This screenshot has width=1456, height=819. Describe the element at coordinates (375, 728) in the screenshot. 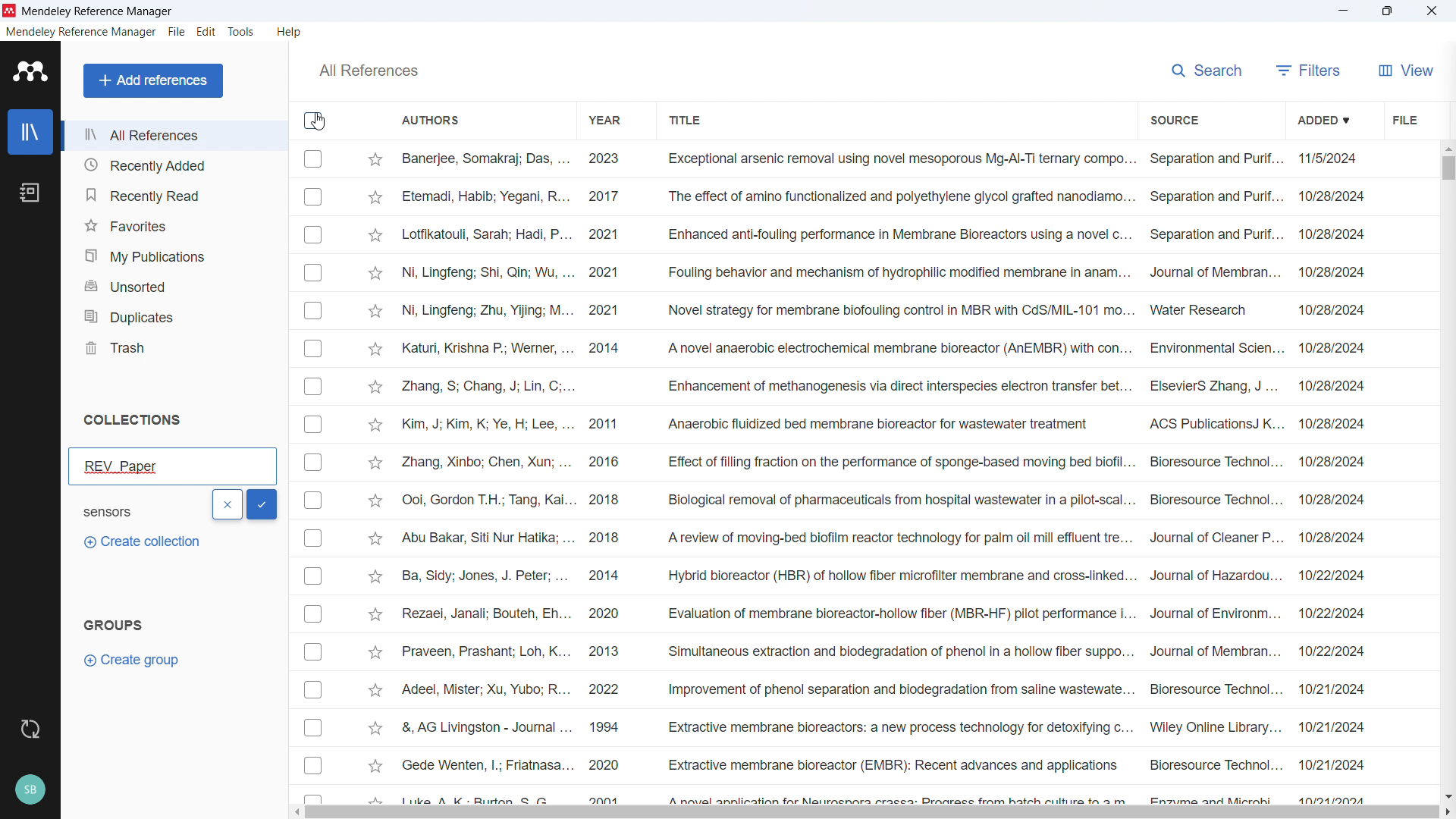

I see `Star mark respective publication` at that location.